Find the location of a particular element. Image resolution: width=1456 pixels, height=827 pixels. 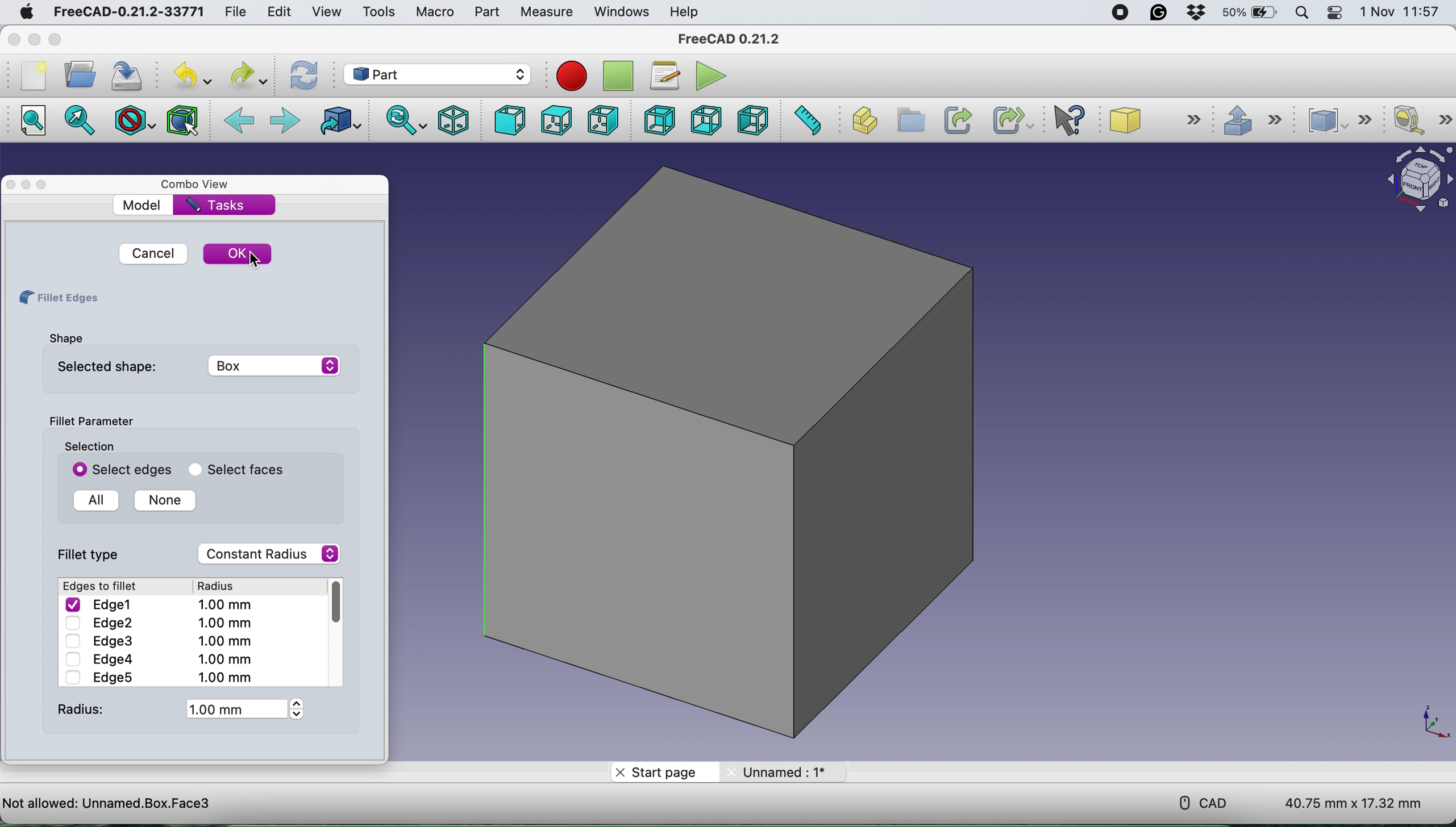

macros is located at coordinates (663, 77).